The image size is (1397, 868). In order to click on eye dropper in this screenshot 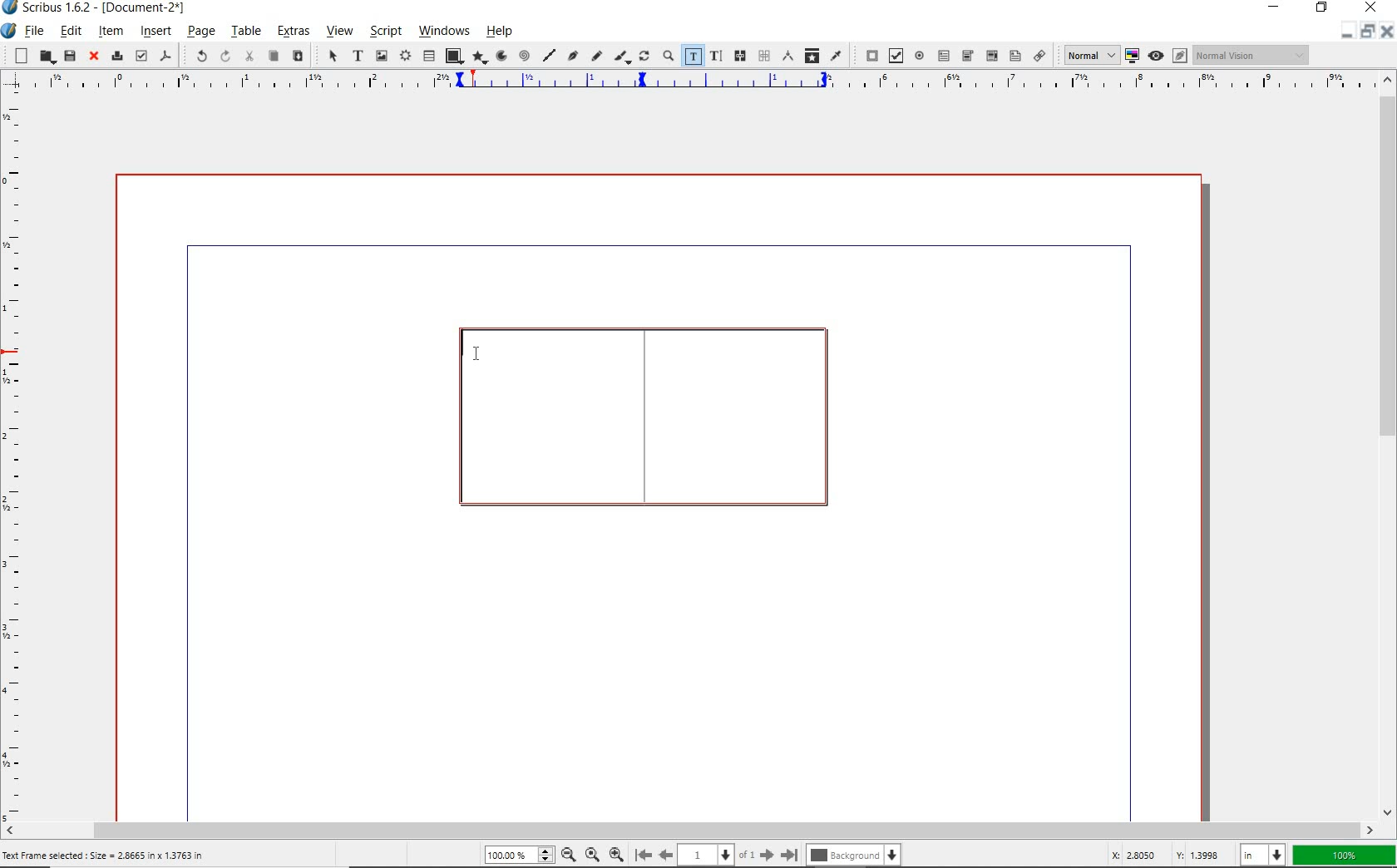, I will do `click(837, 56)`.